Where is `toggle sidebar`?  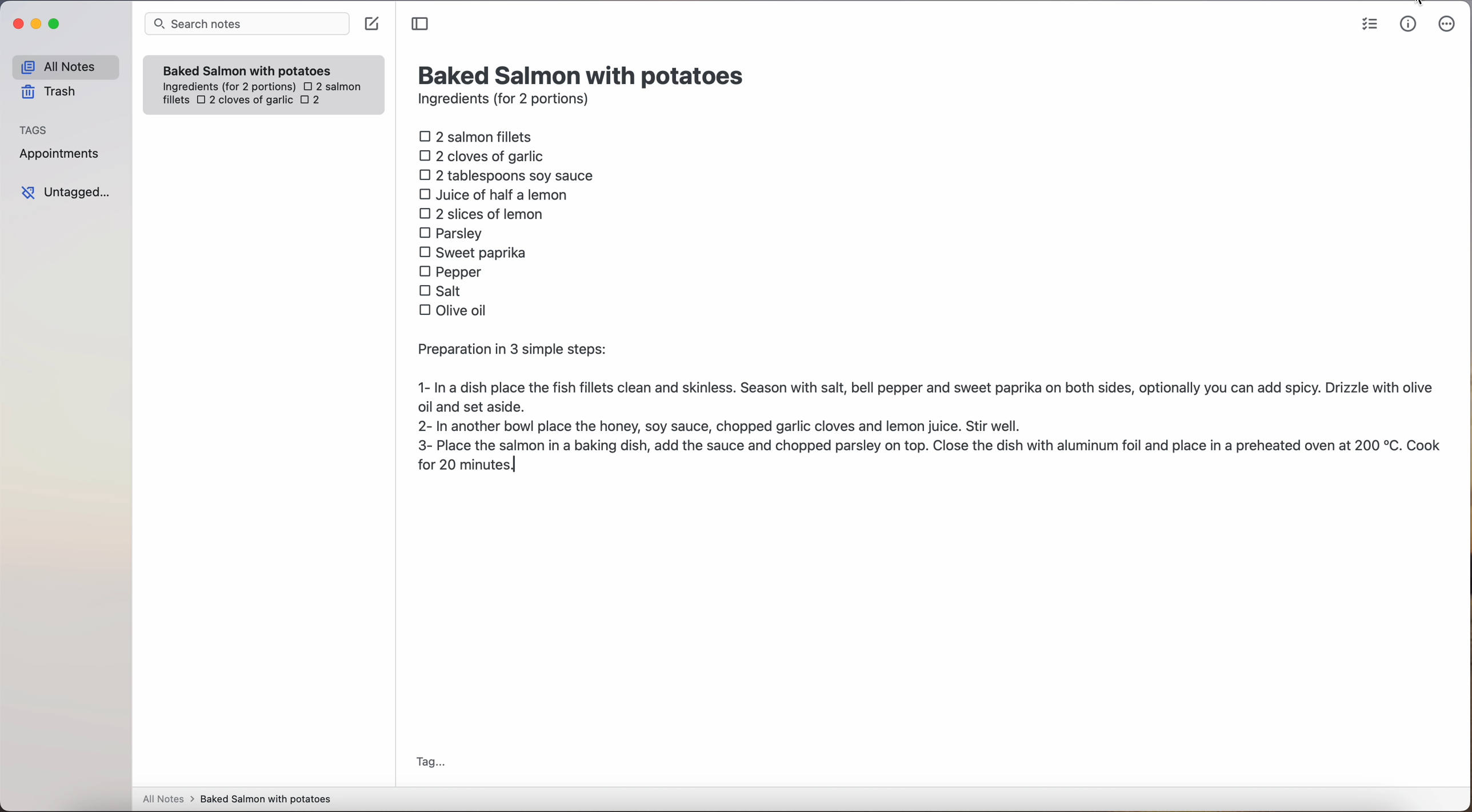
toggle sidebar is located at coordinates (421, 25).